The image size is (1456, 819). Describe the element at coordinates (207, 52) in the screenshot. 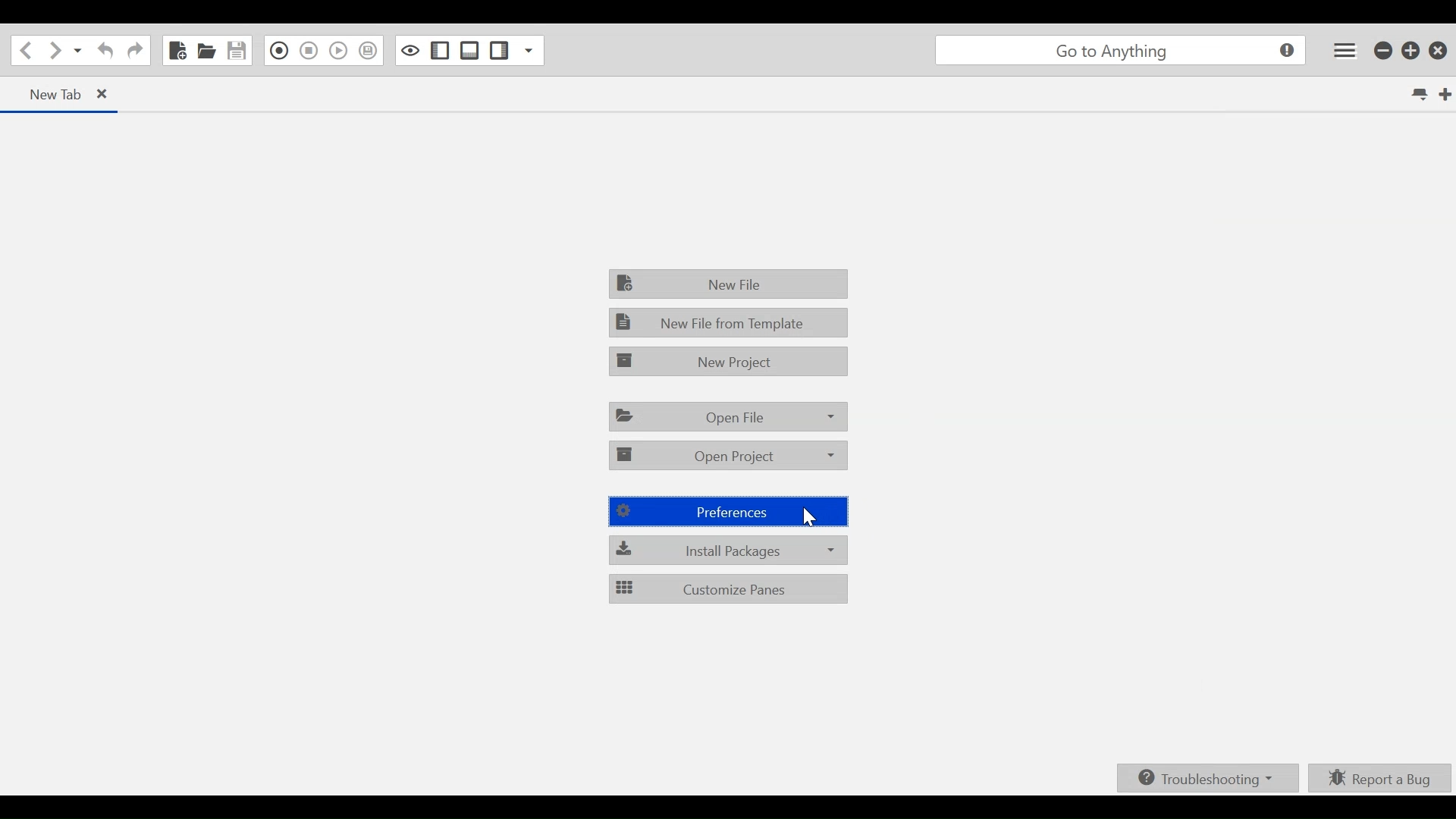

I see `Open File` at that location.